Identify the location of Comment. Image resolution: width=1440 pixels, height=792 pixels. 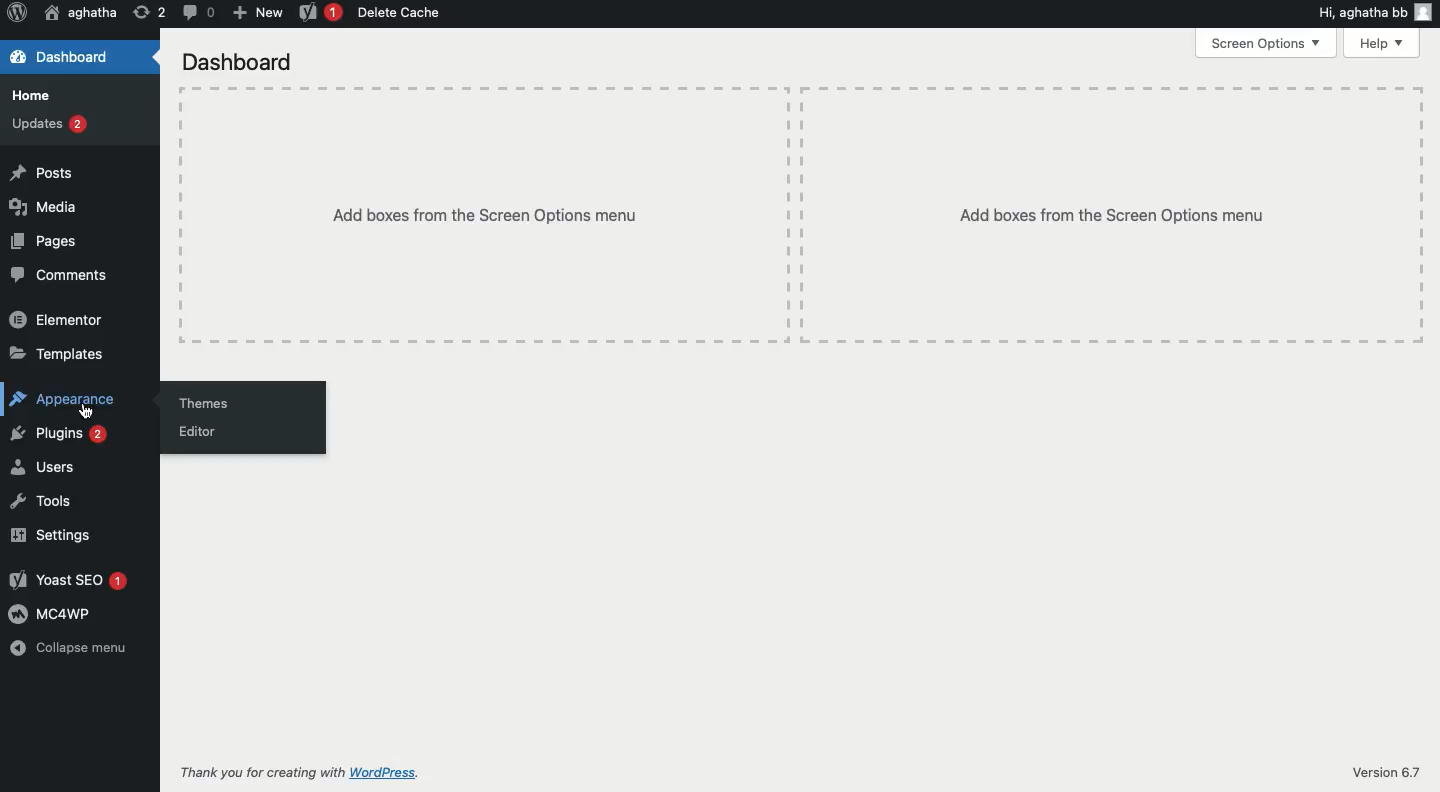
(197, 12).